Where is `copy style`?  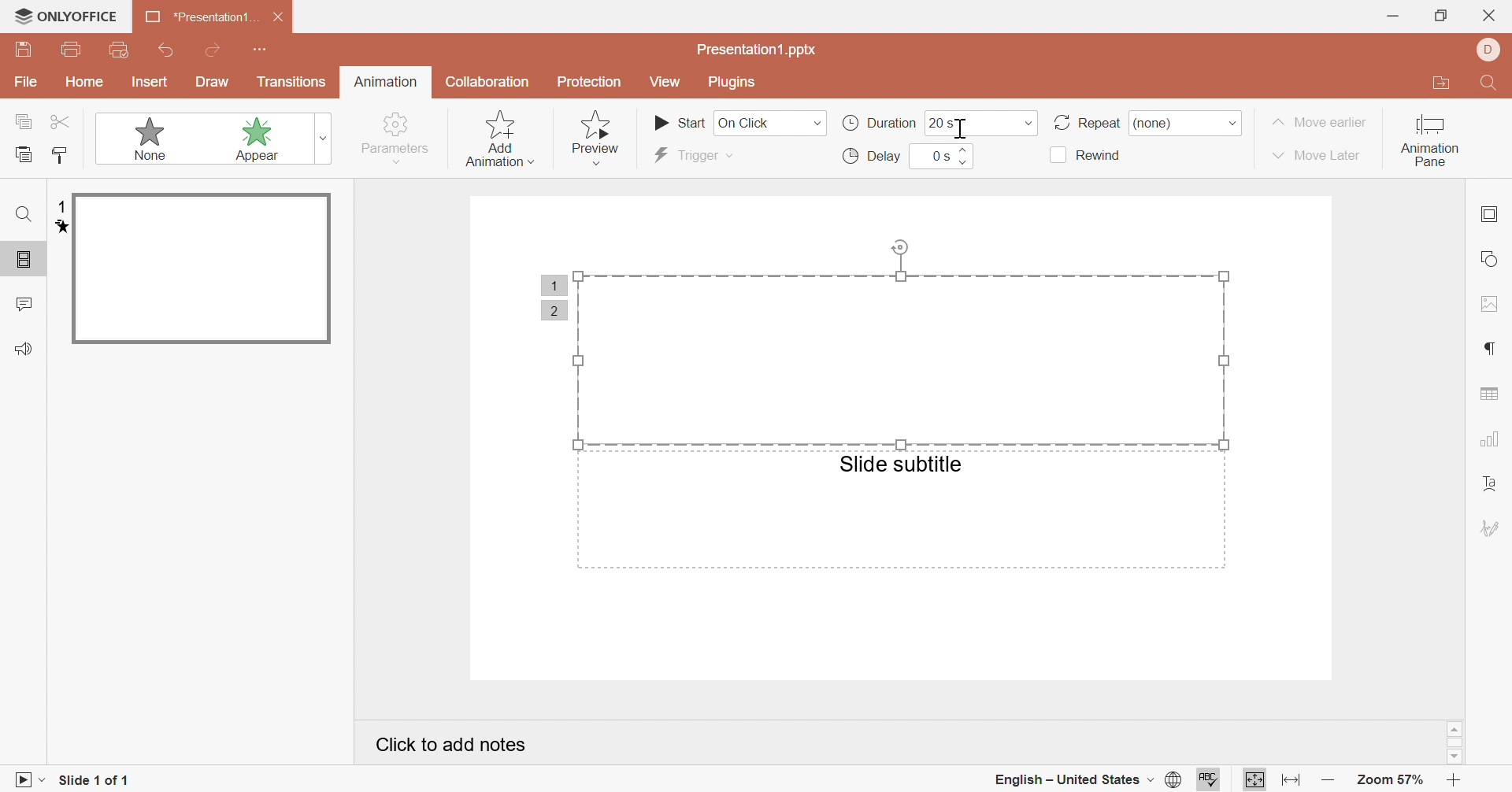 copy style is located at coordinates (61, 154).